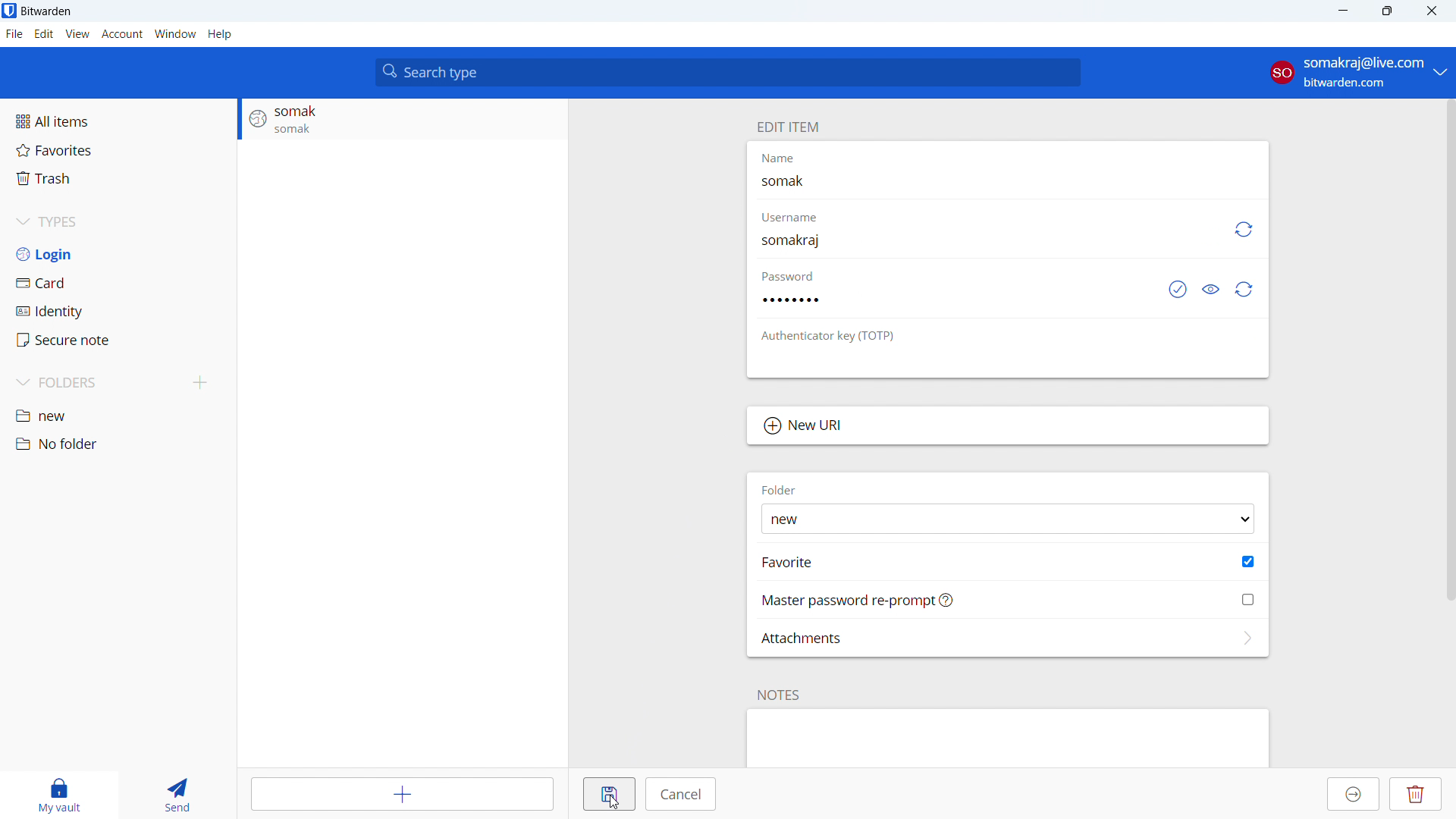  What do you see at coordinates (728, 72) in the screenshot?
I see `search type` at bounding box center [728, 72].